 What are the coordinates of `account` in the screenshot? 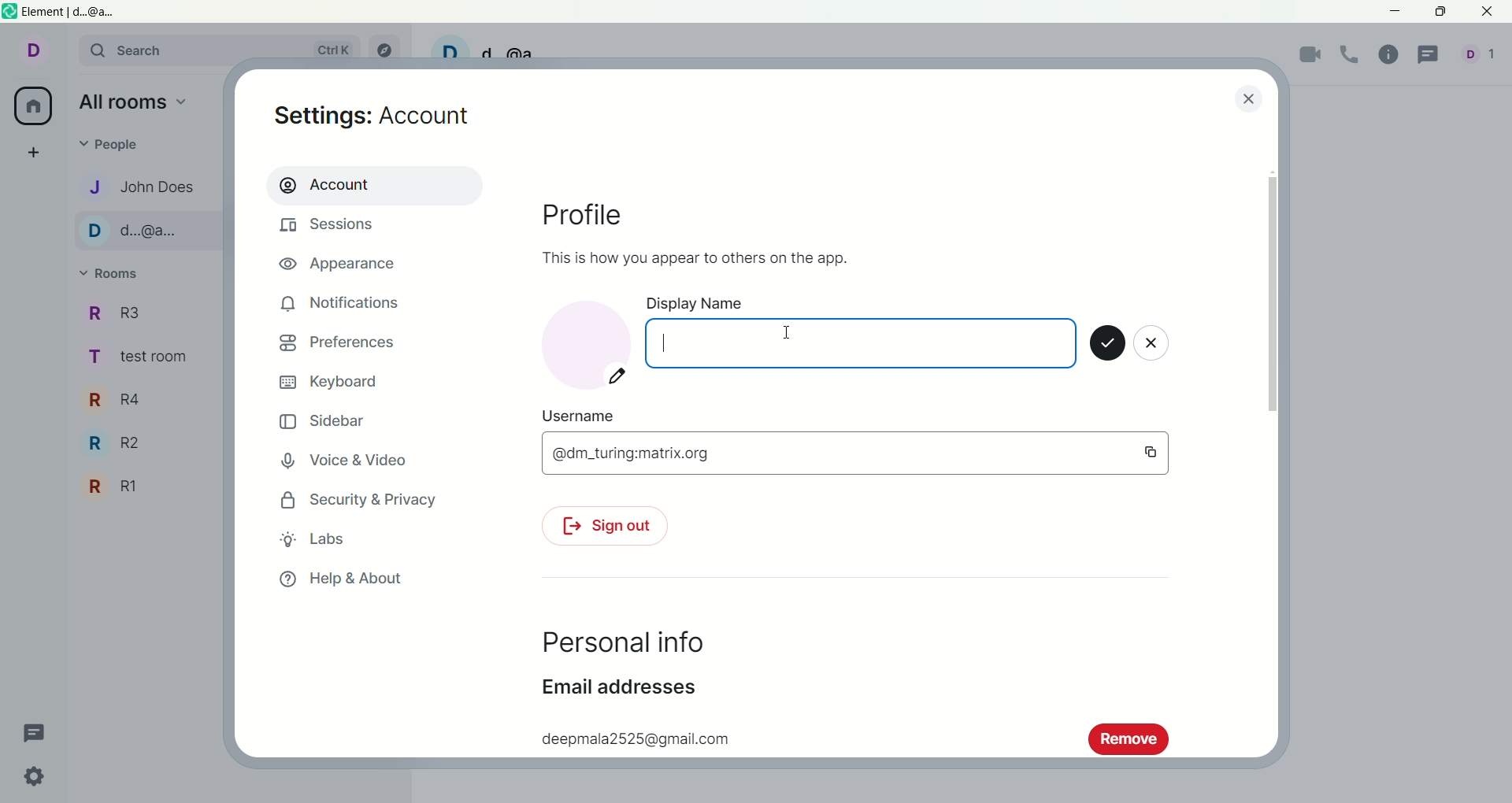 It's located at (372, 184).